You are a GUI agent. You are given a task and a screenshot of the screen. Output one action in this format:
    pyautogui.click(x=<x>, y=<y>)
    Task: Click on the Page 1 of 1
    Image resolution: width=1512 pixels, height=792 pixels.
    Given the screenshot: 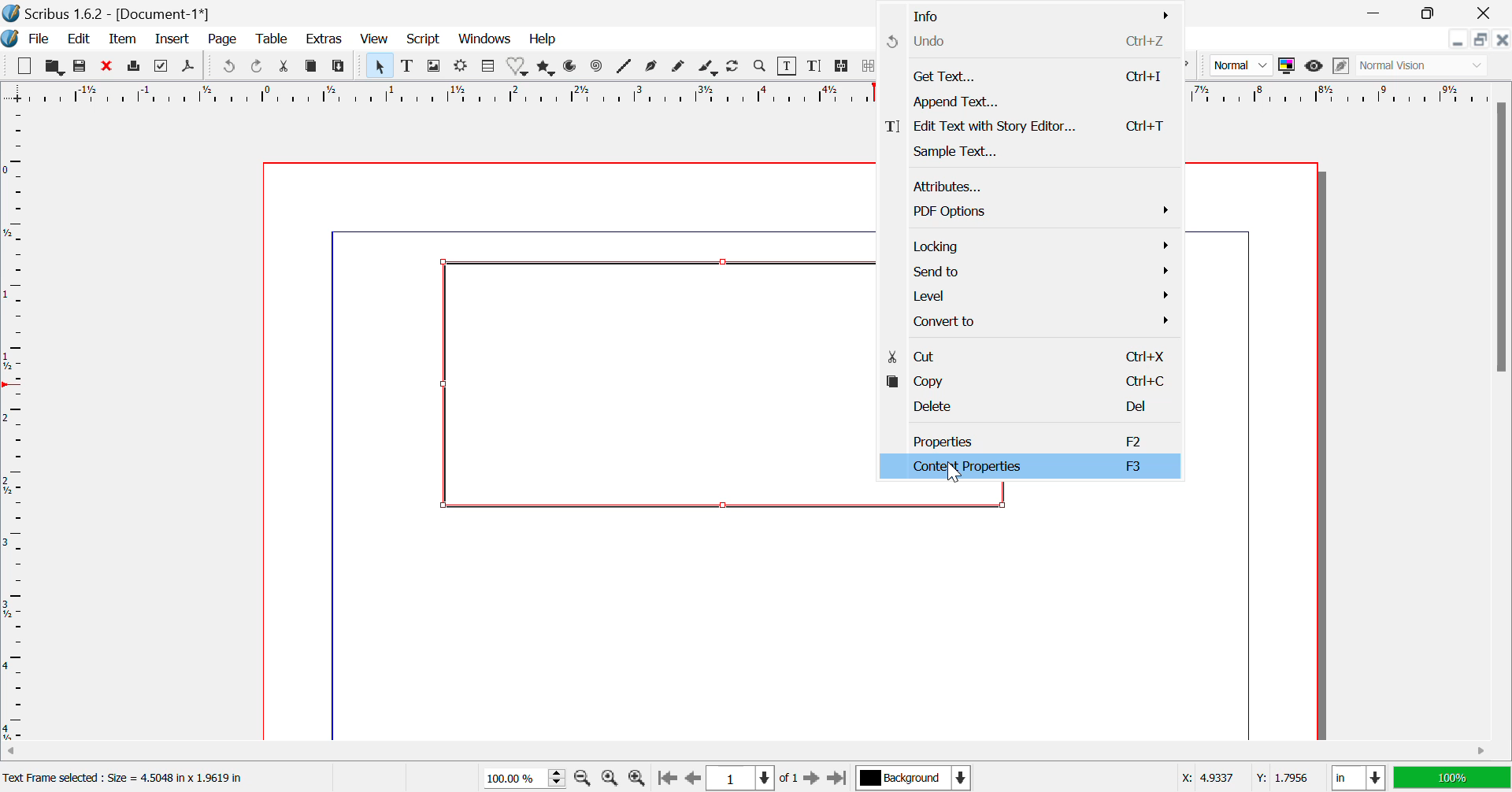 What is the action you would take?
    pyautogui.click(x=752, y=777)
    